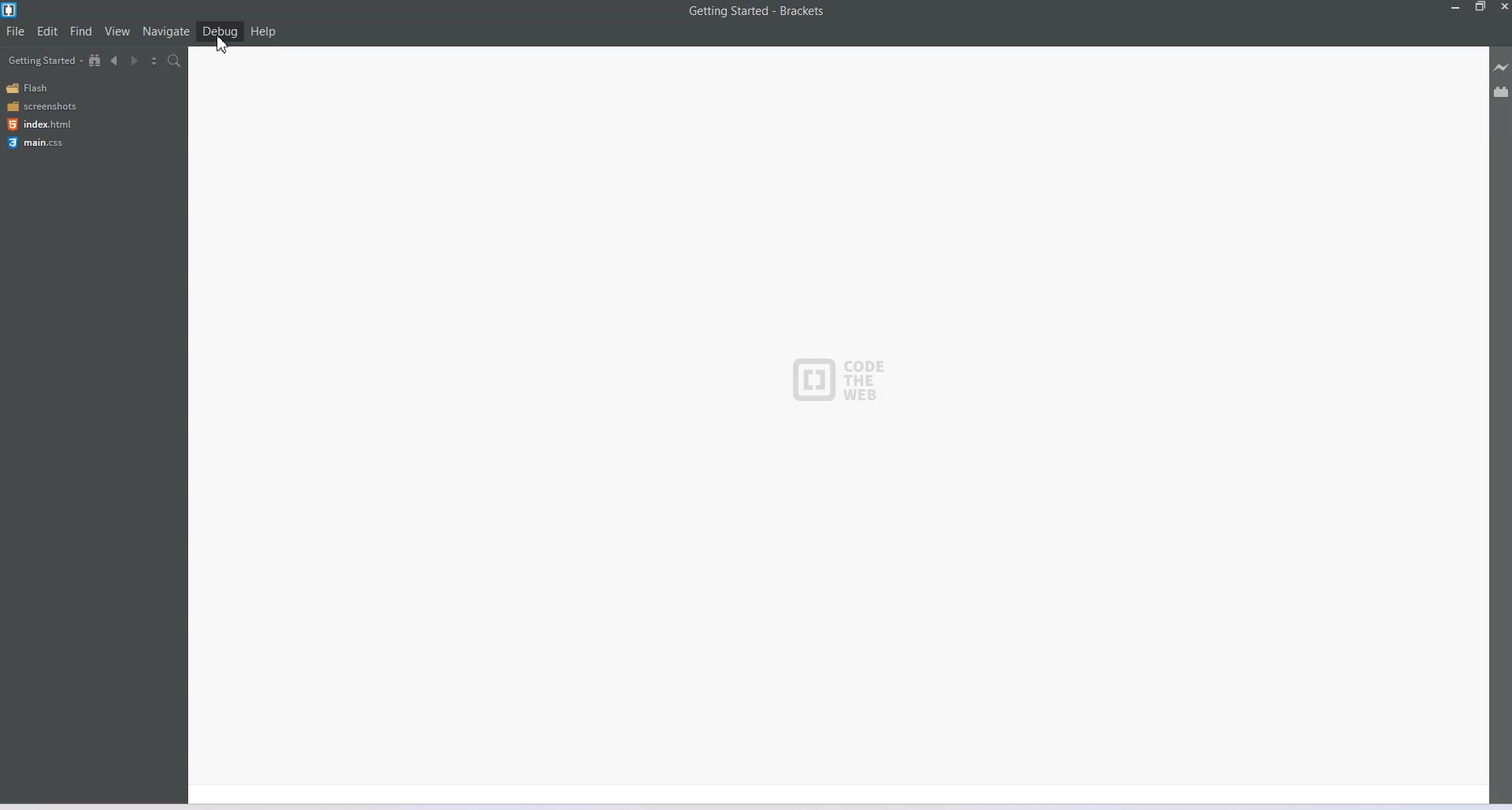  I want to click on Navigate Backward, so click(117, 60).